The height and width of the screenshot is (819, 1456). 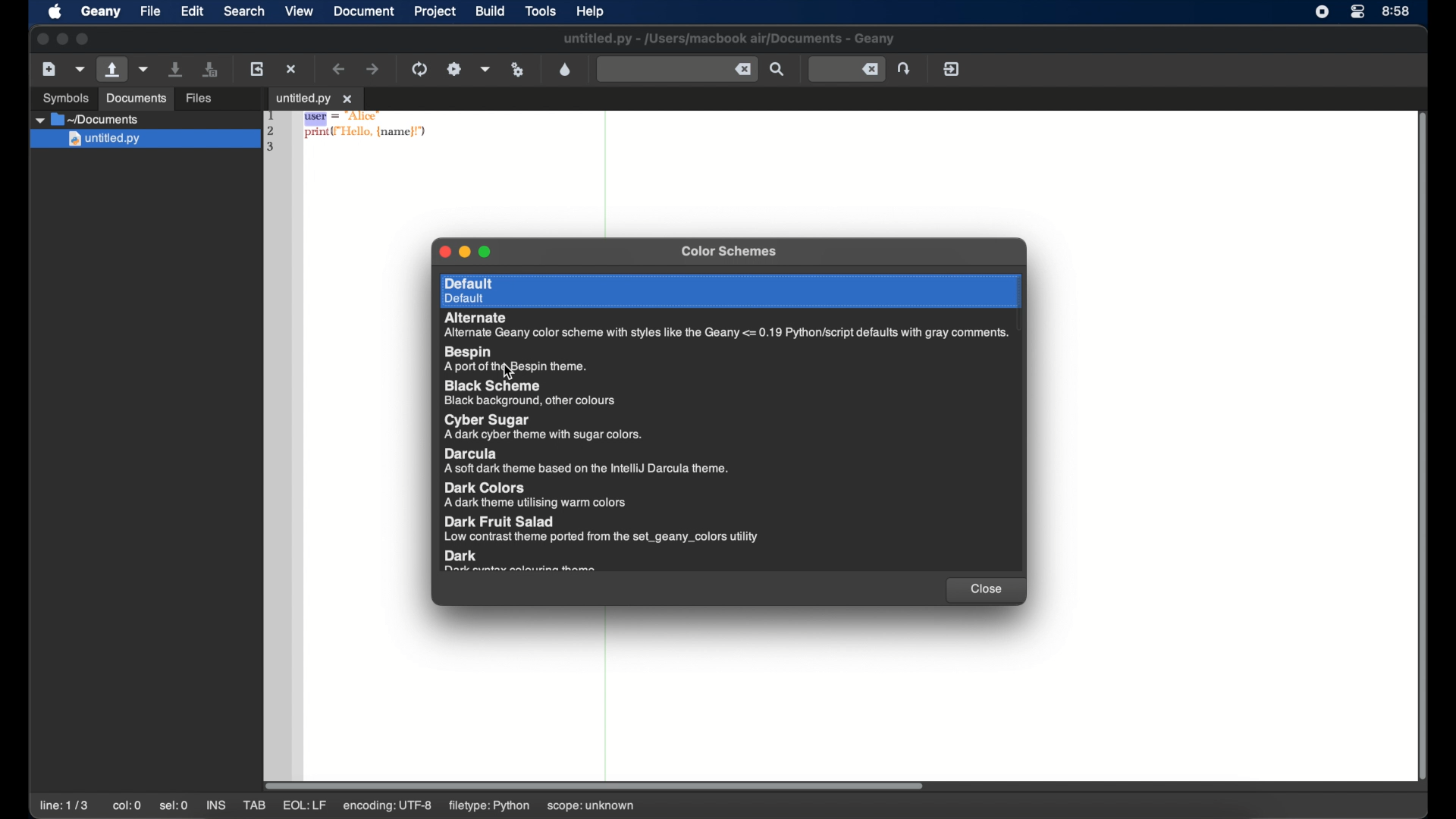 What do you see at coordinates (256, 805) in the screenshot?
I see `tab` at bounding box center [256, 805].